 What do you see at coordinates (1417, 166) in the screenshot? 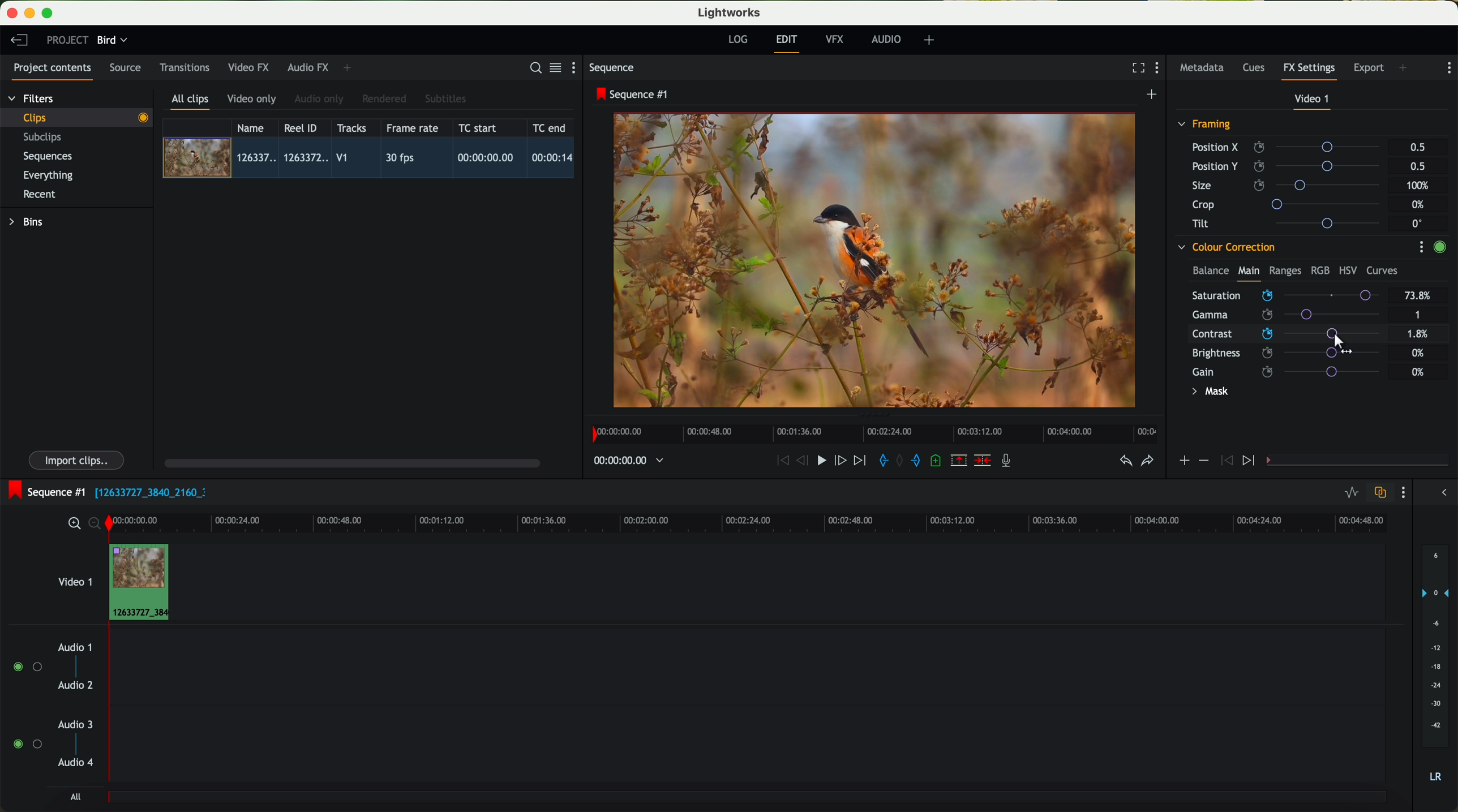
I see `0.5` at bounding box center [1417, 166].